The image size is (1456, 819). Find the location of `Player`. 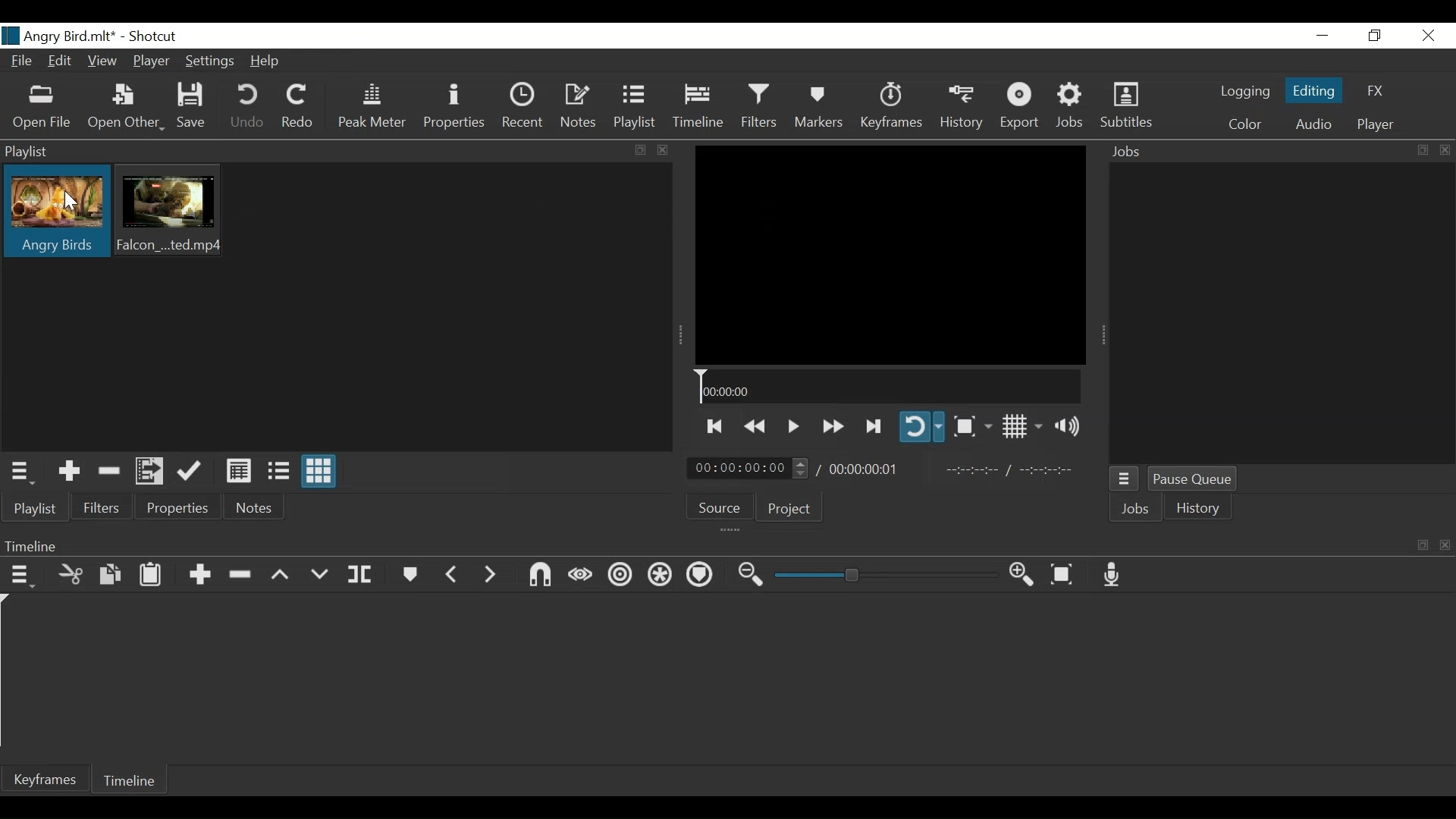

Player is located at coordinates (152, 63).